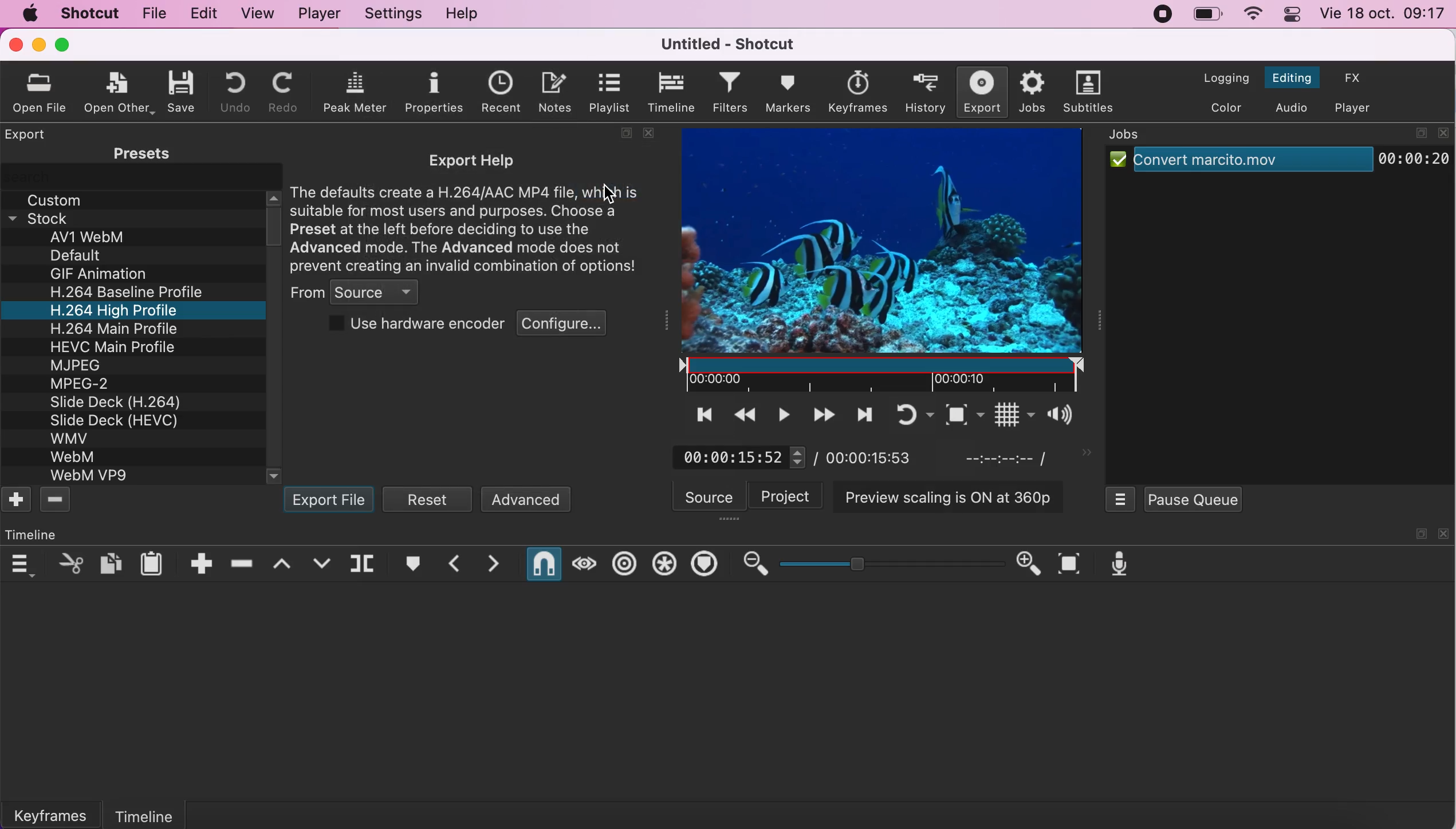 The image size is (1456, 829). I want to click on overwrite, so click(322, 563).